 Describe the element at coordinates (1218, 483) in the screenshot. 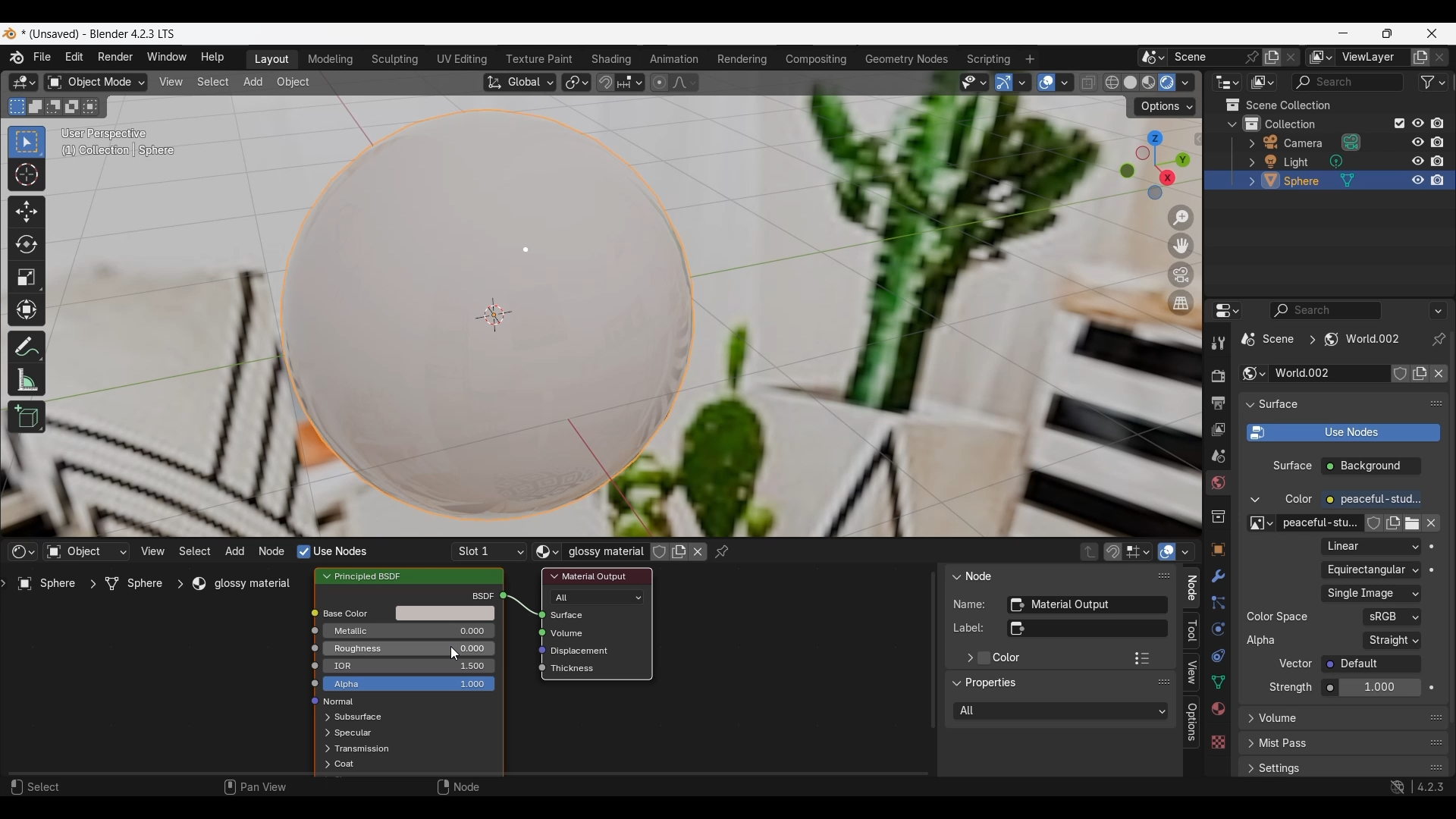

I see `World properties` at that location.